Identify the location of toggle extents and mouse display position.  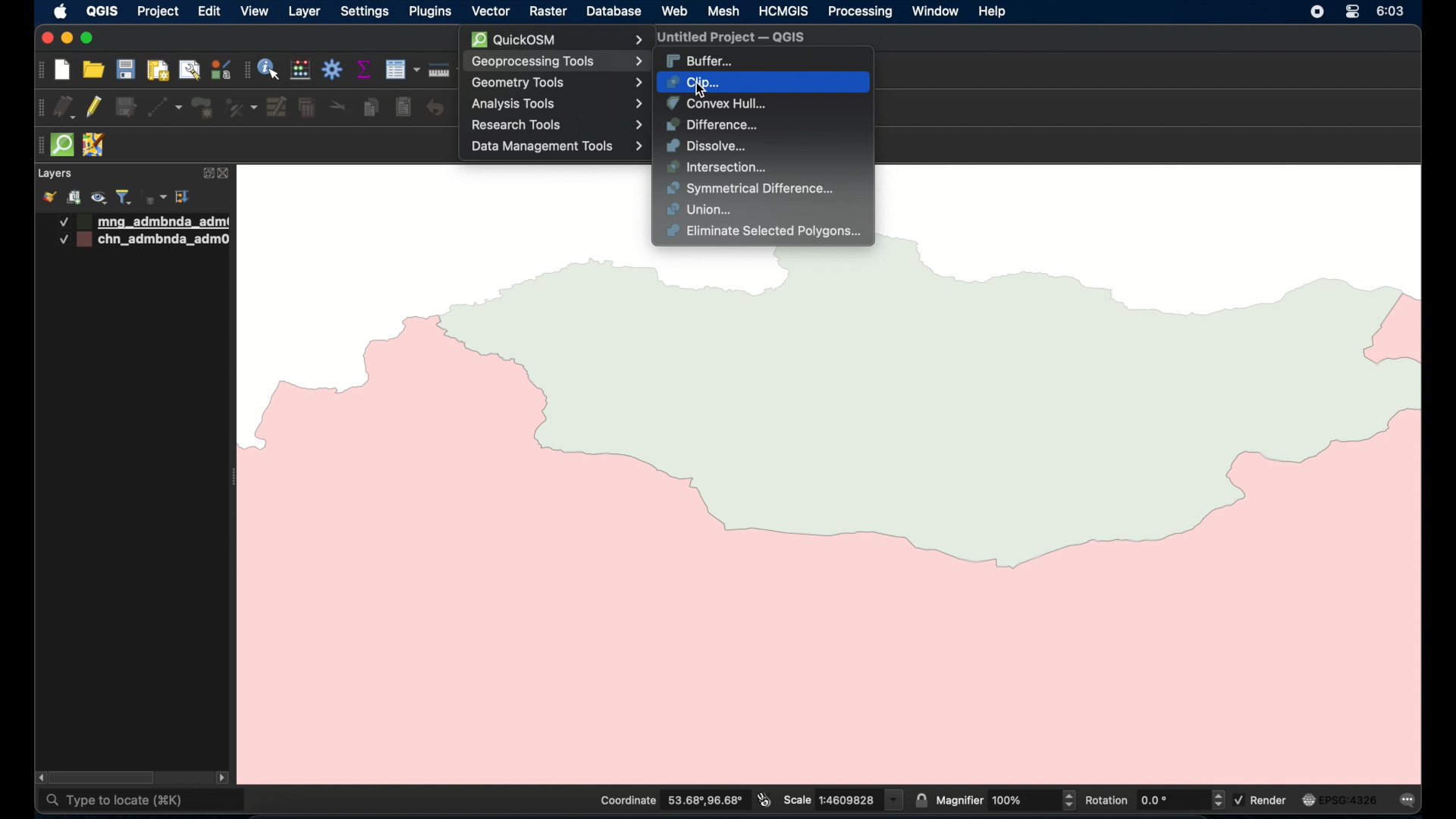
(764, 799).